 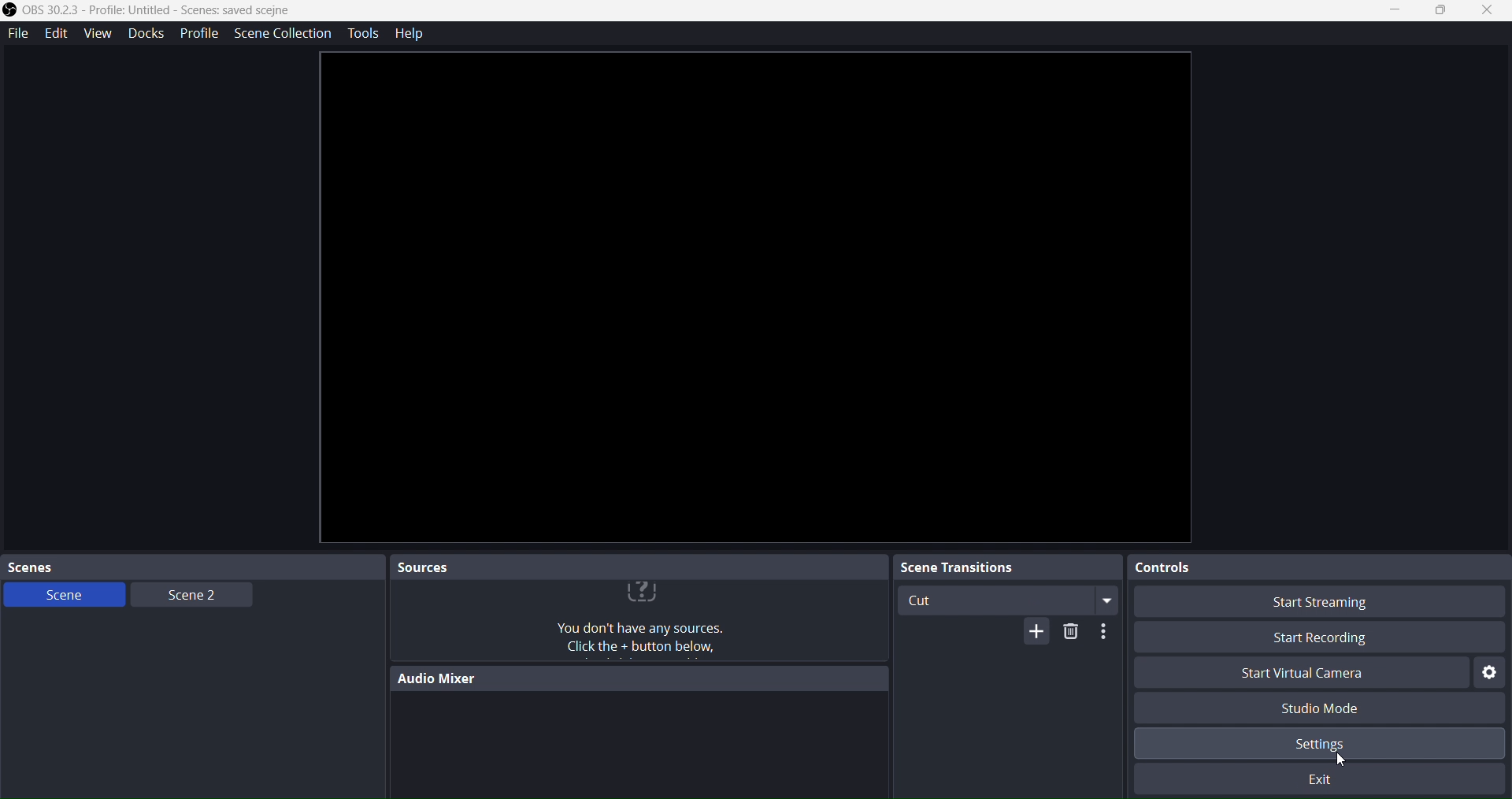 What do you see at coordinates (1491, 673) in the screenshot?
I see `Settings` at bounding box center [1491, 673].